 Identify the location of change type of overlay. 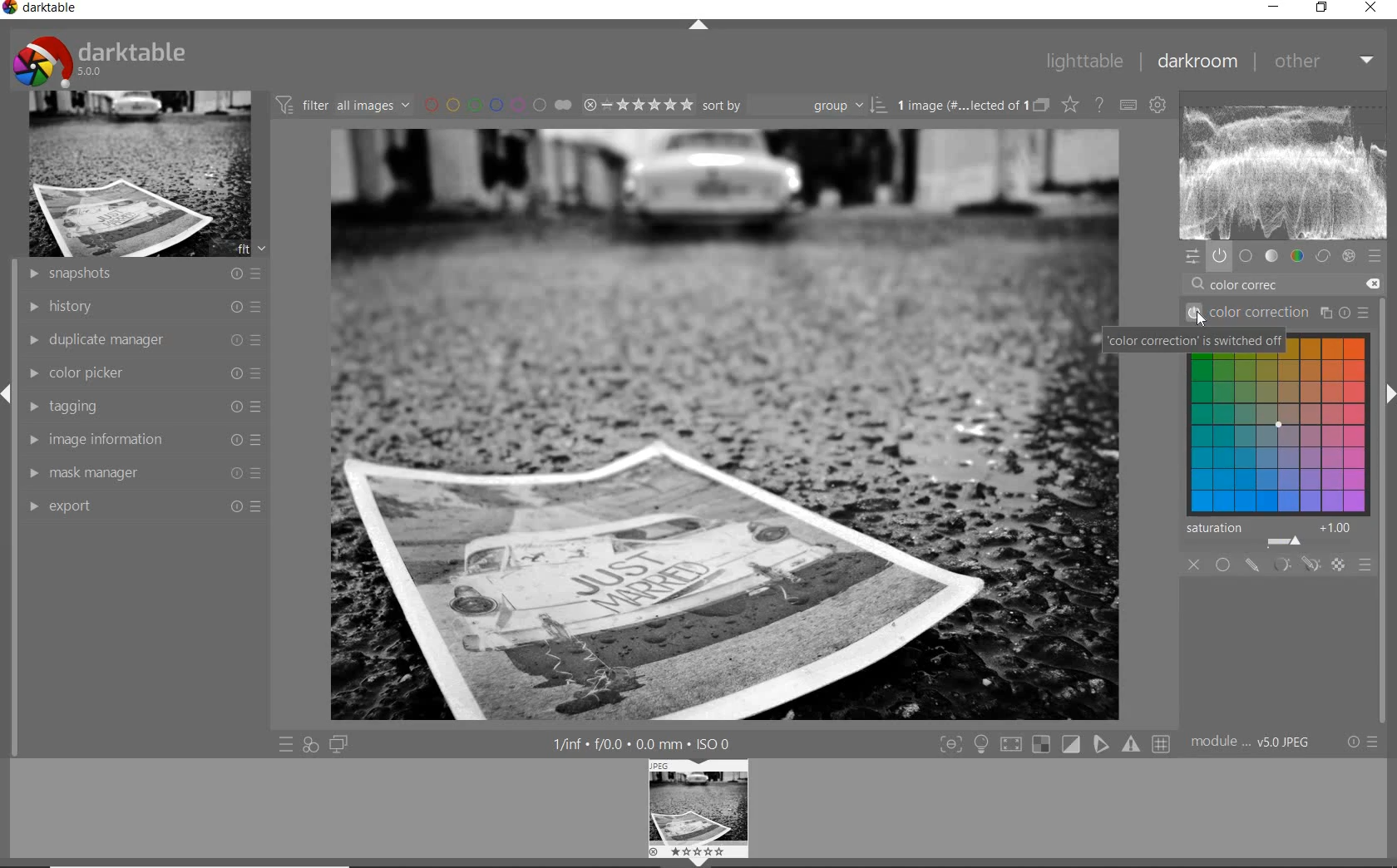
(1069, 106).